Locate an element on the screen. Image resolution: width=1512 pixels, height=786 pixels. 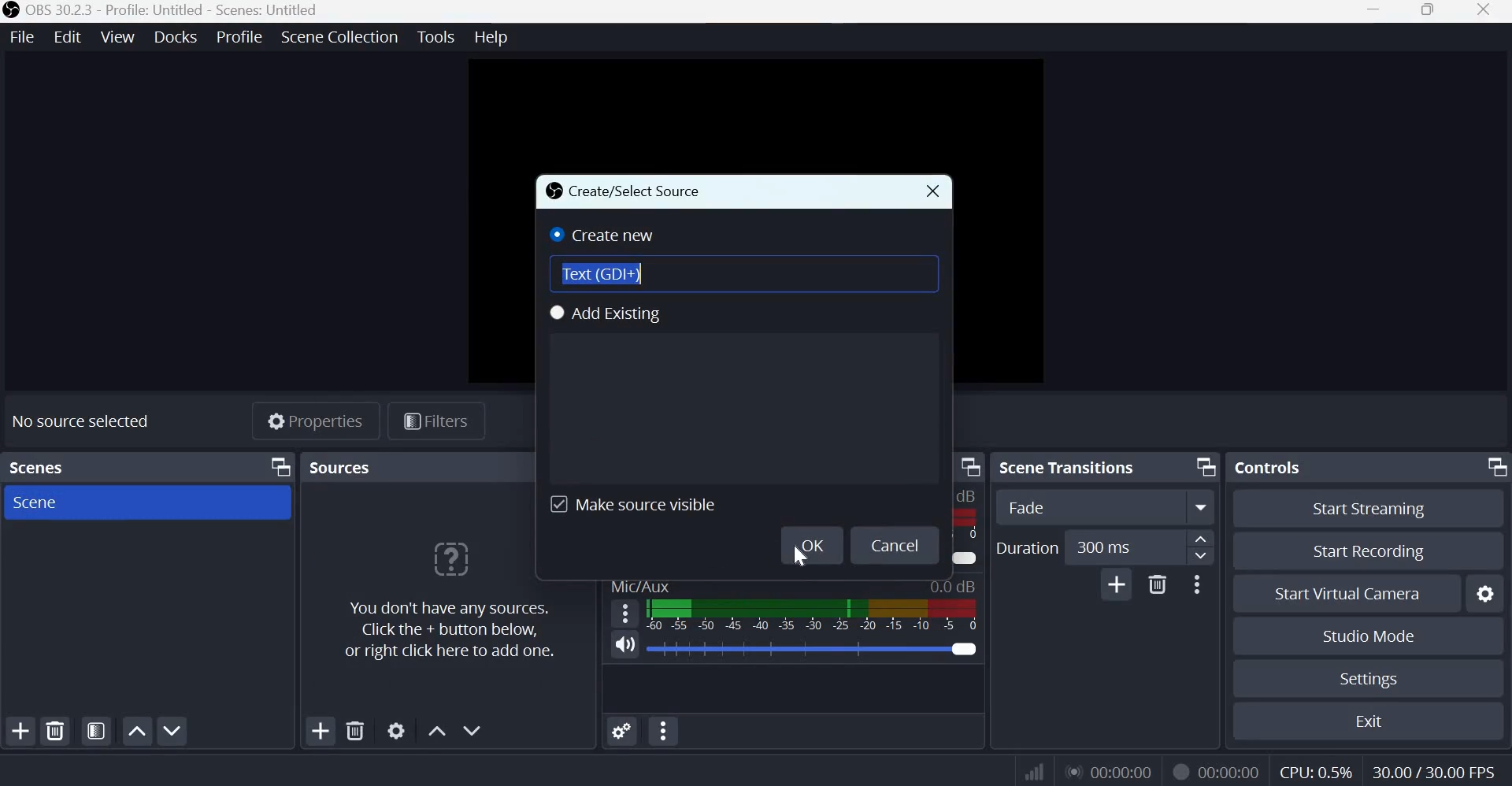
Remove selected sources(s) is located at coordinates (355, 729).